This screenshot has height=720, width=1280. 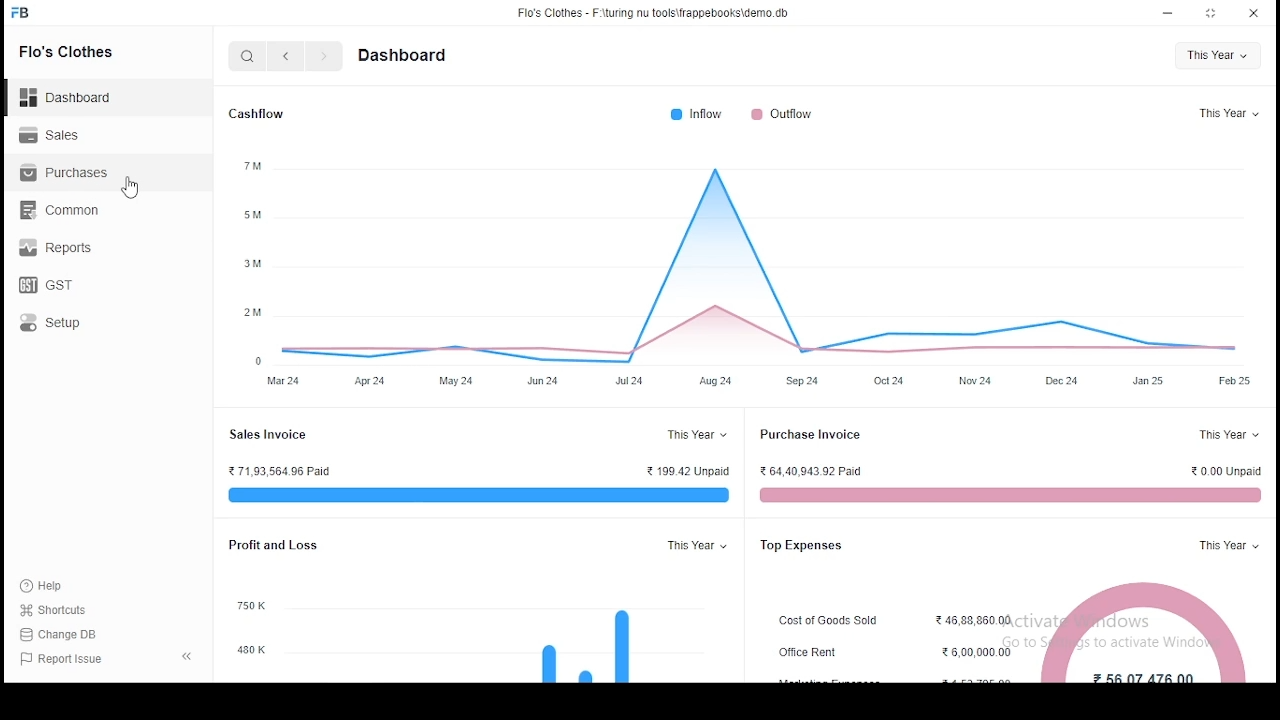 What do you see at coordinates (61, 244) in the screenshot?
I see `reports` at bounding box center [61, 244].